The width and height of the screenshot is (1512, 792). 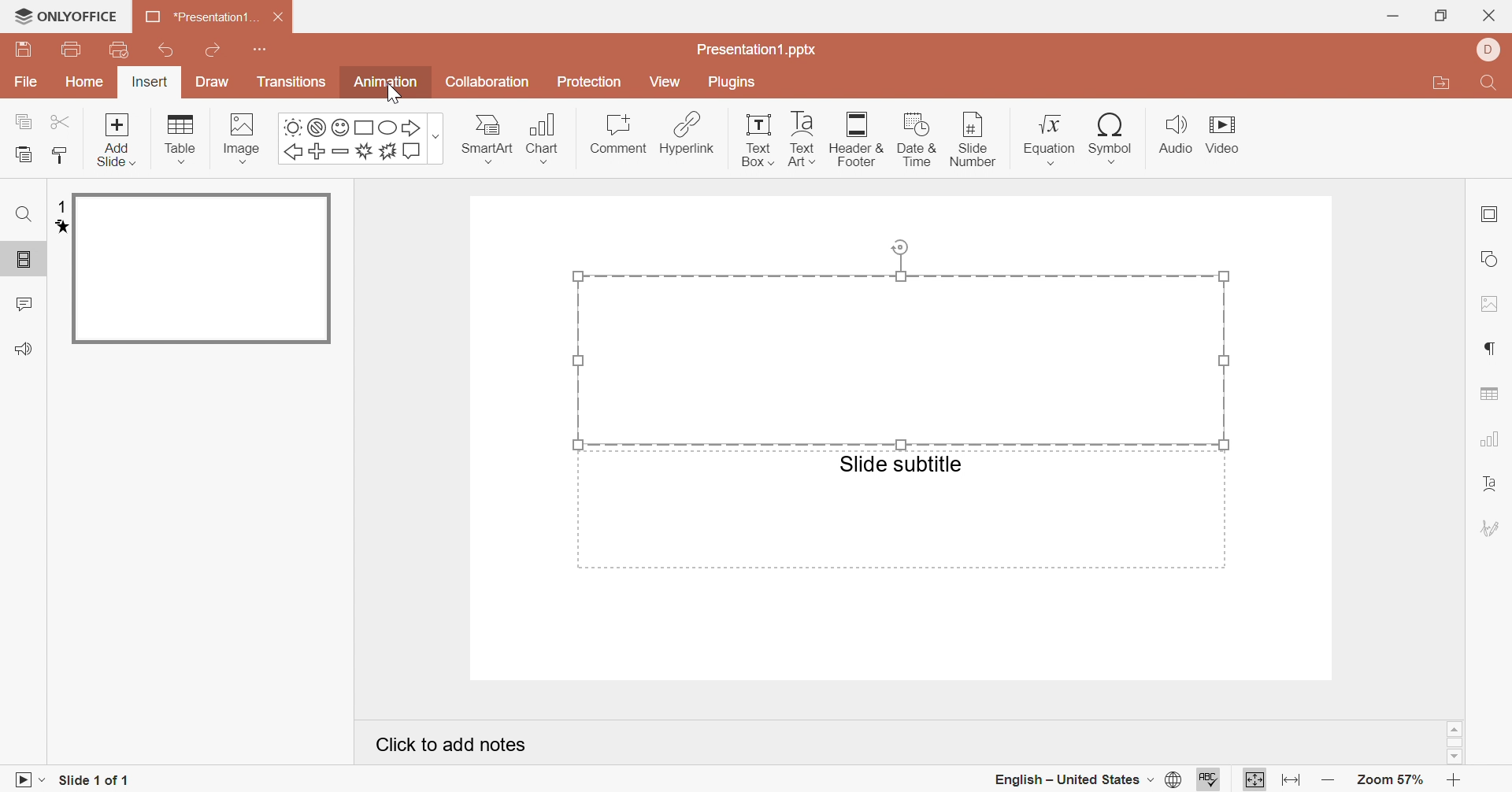 What do you see at coordinates (1177, 781) in the screenshot?
I see `set document language` at bounding box center [1177, 781].